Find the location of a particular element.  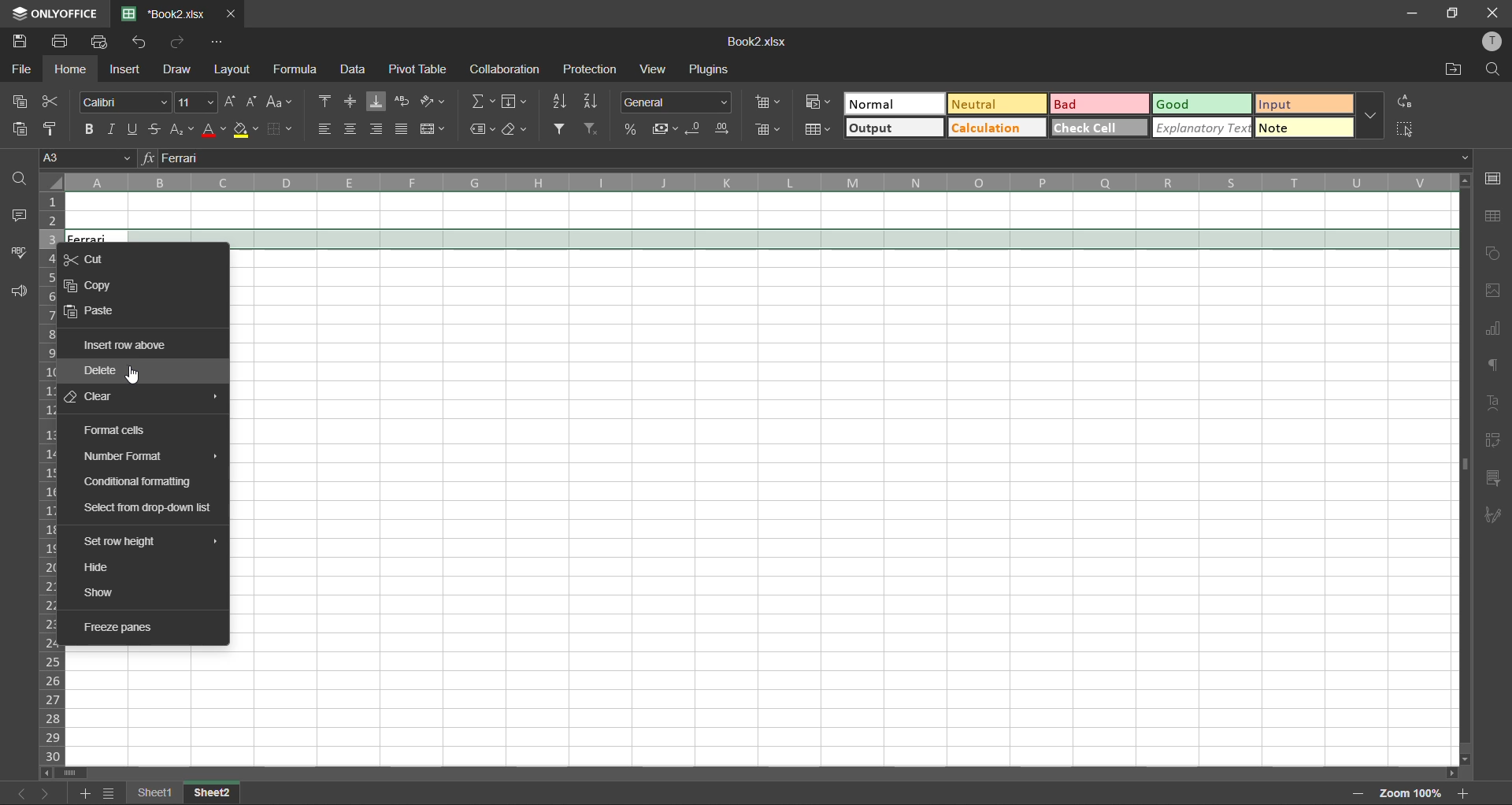

freeze panes is located at coordinates (124, 626).